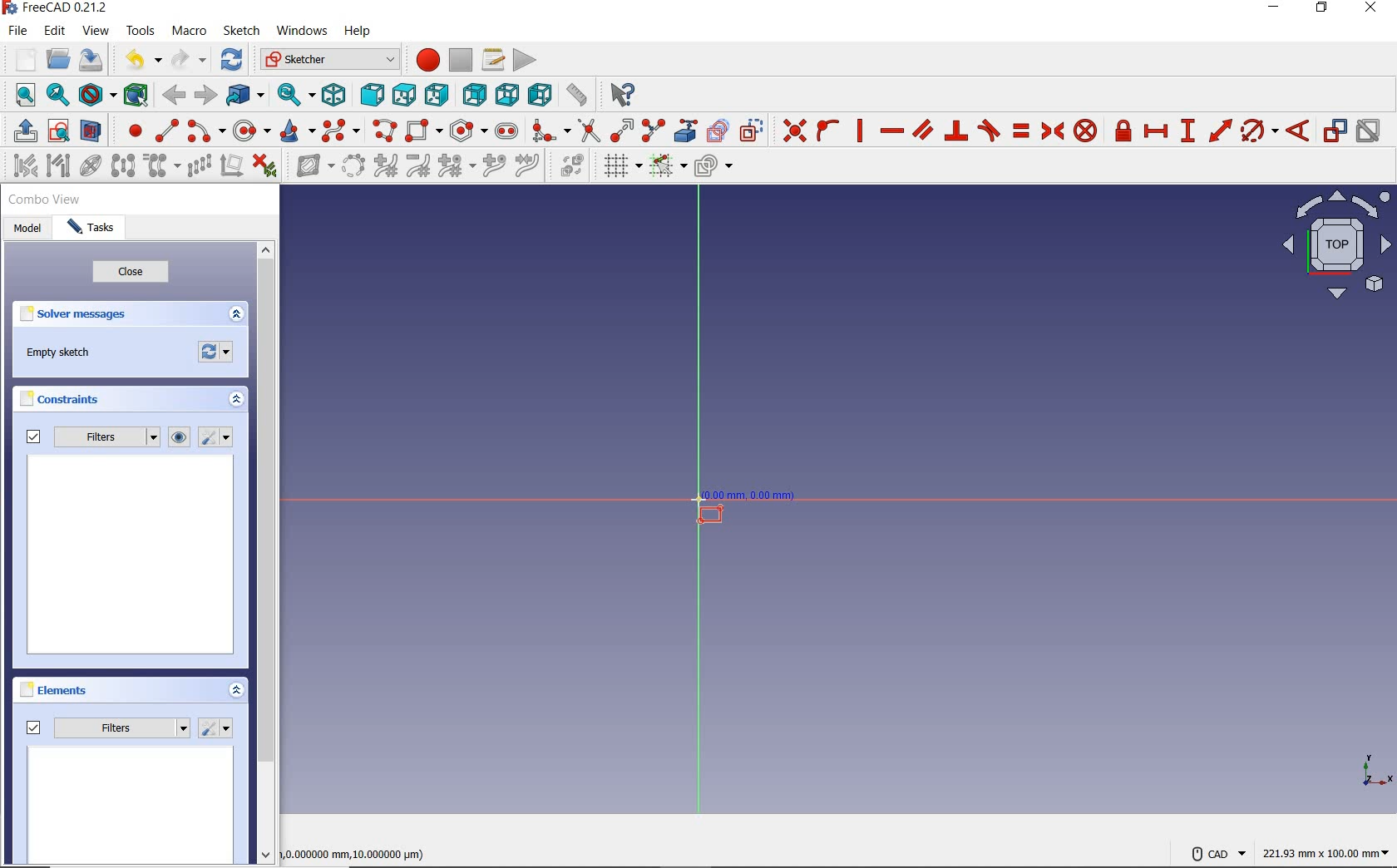  What do you see at coordinates (302, 32) in the screenshot?
I see `windows` at bounding box center [302, 32].